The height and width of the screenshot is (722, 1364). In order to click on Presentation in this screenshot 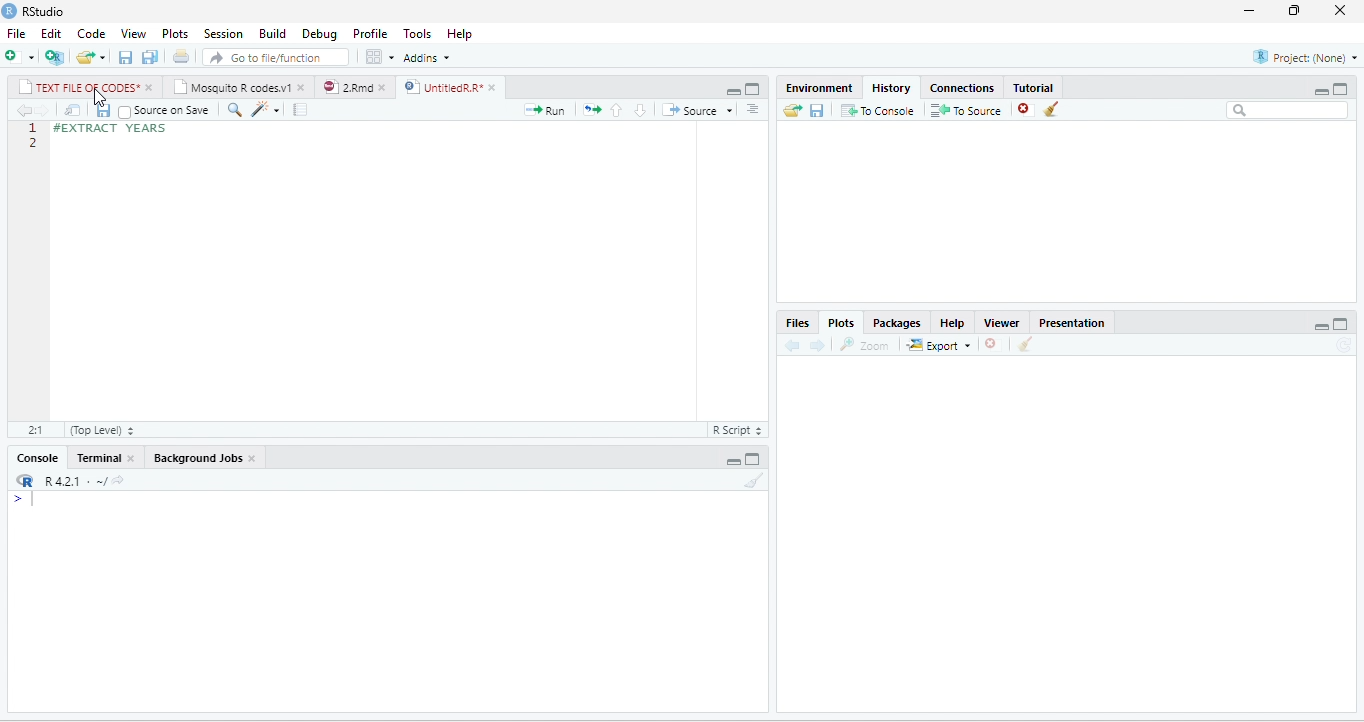, I will do `click(1072, 323)`.